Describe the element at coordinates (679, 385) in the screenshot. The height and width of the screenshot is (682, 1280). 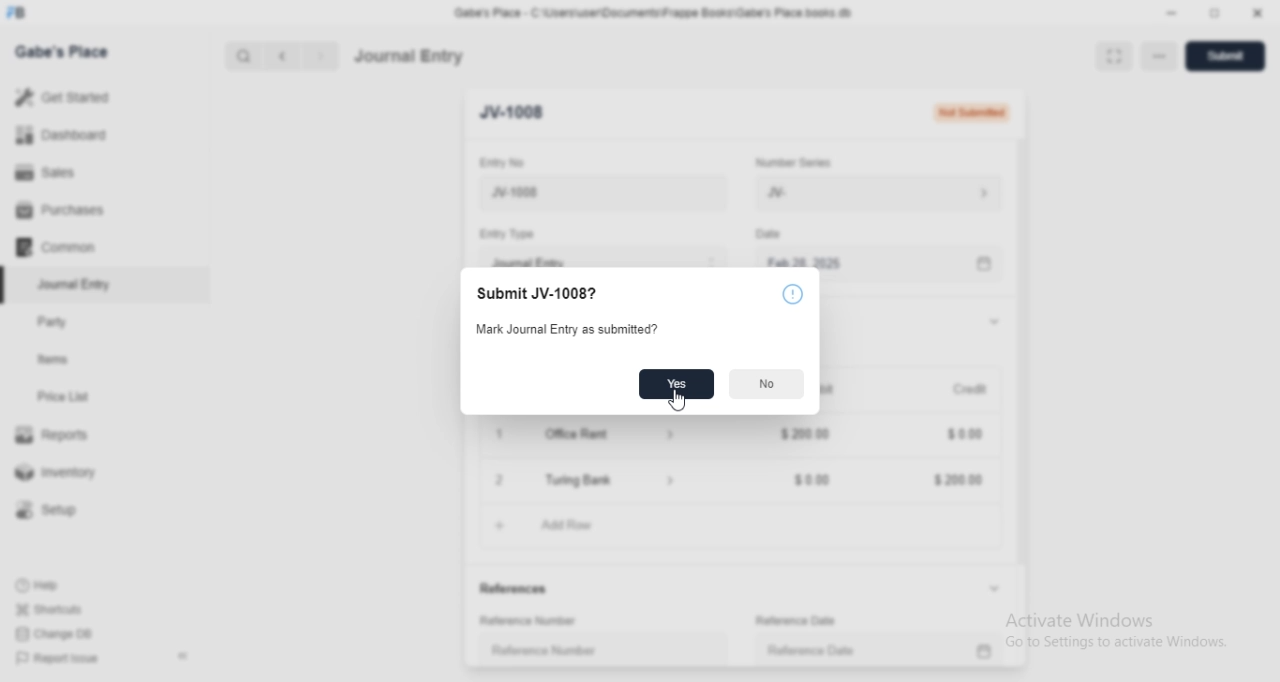
I see `Yes` at that location.